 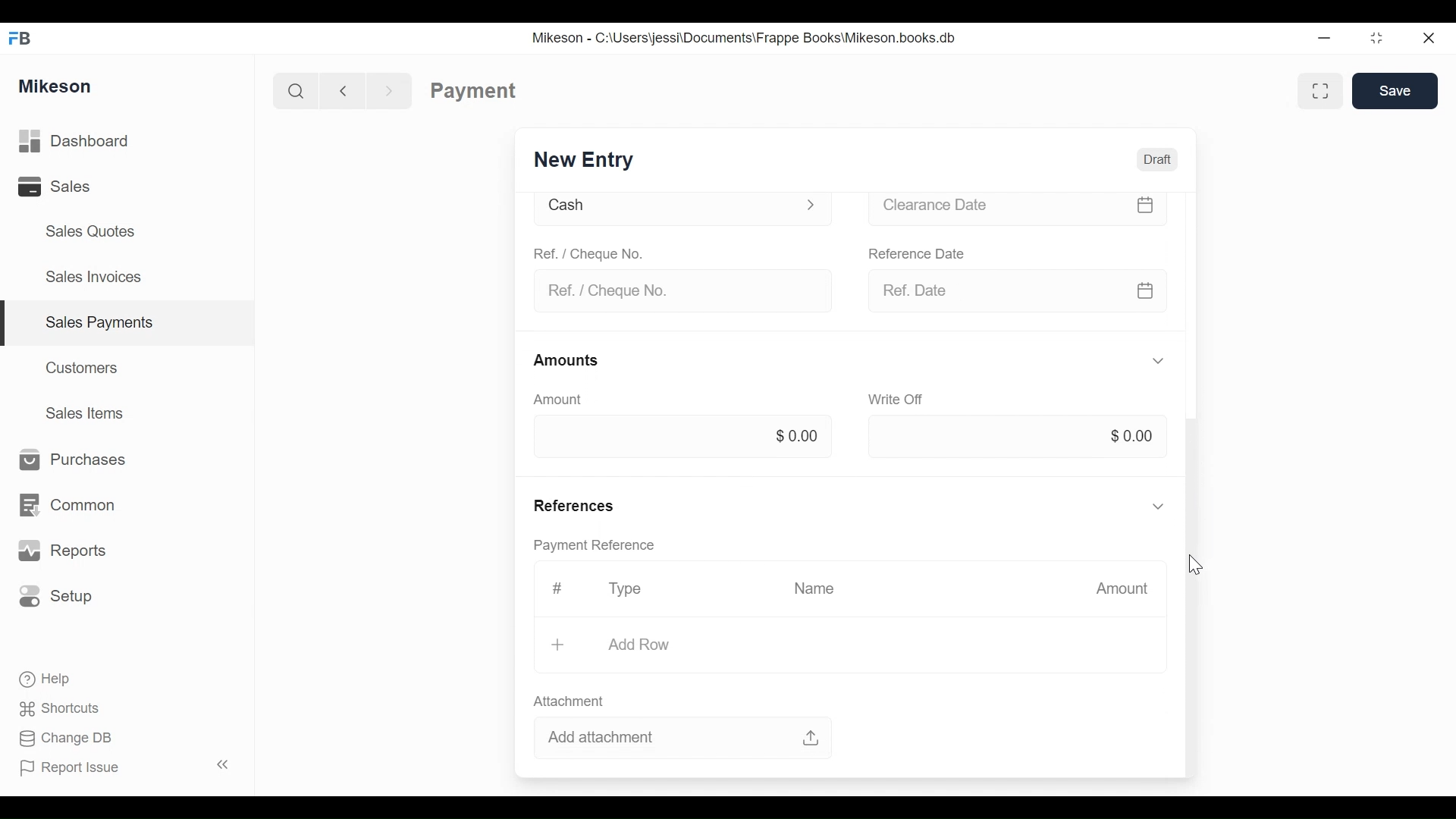 I want to click on Maximize, so click(x=1374, y=40).